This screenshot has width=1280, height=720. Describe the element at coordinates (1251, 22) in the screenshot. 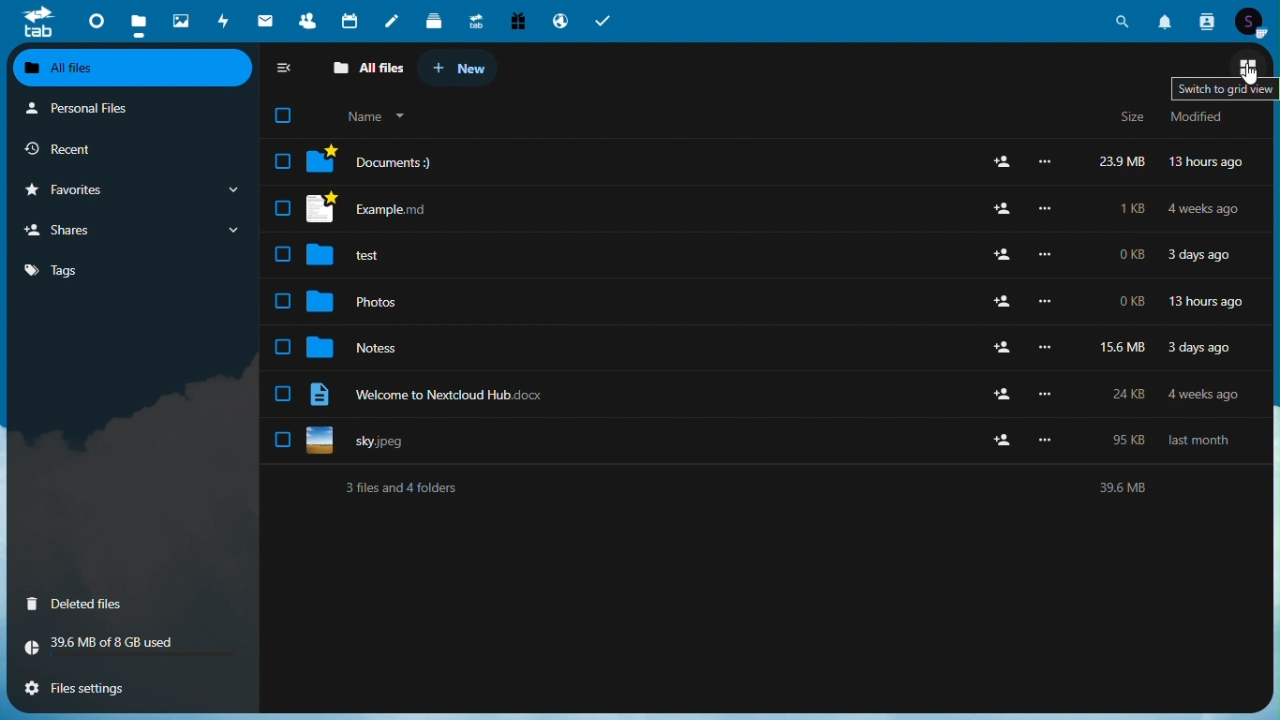

I see `Account icon` at that location.